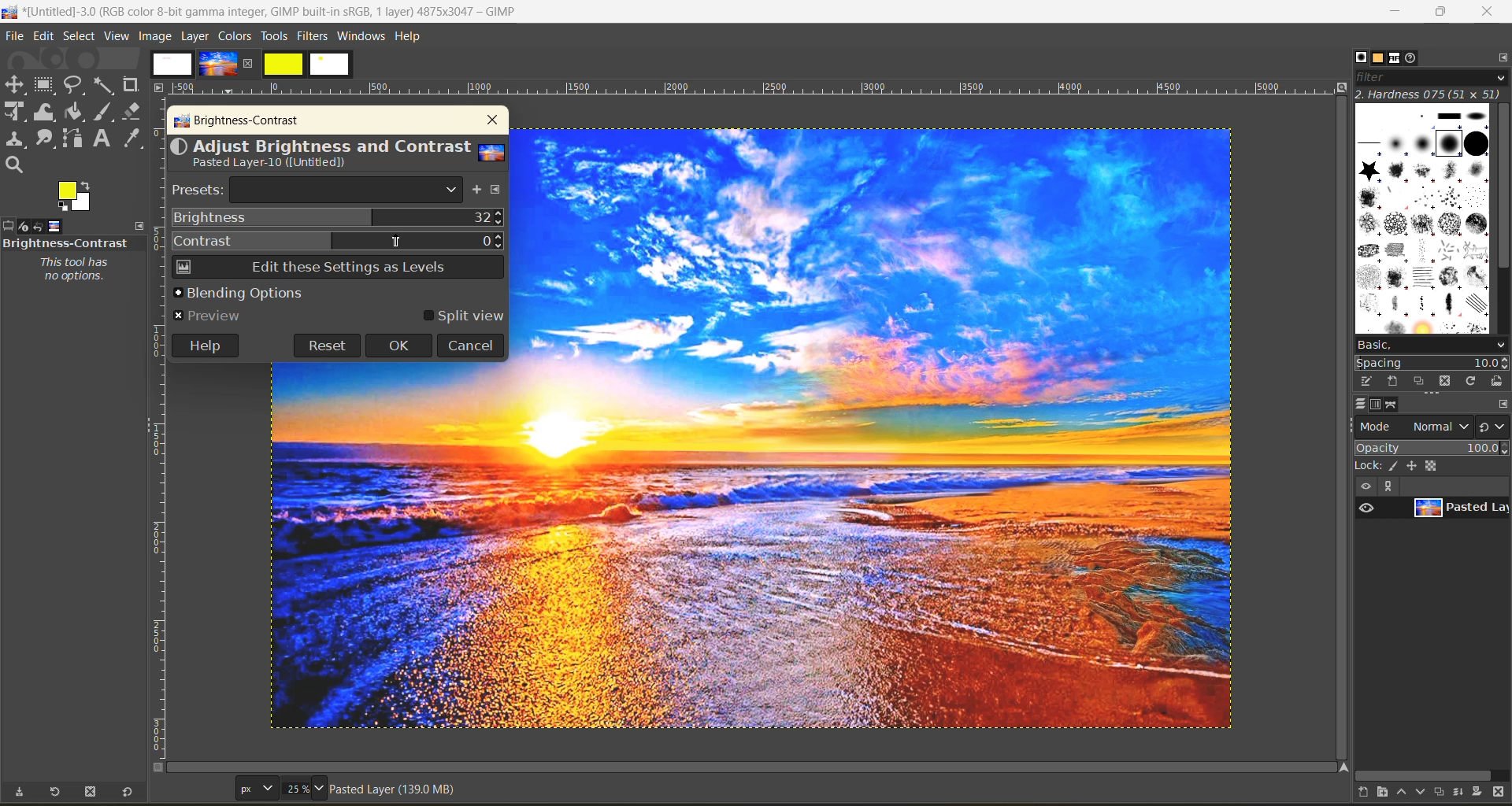  I want to click on active foreground and background color, so click(78, 197).